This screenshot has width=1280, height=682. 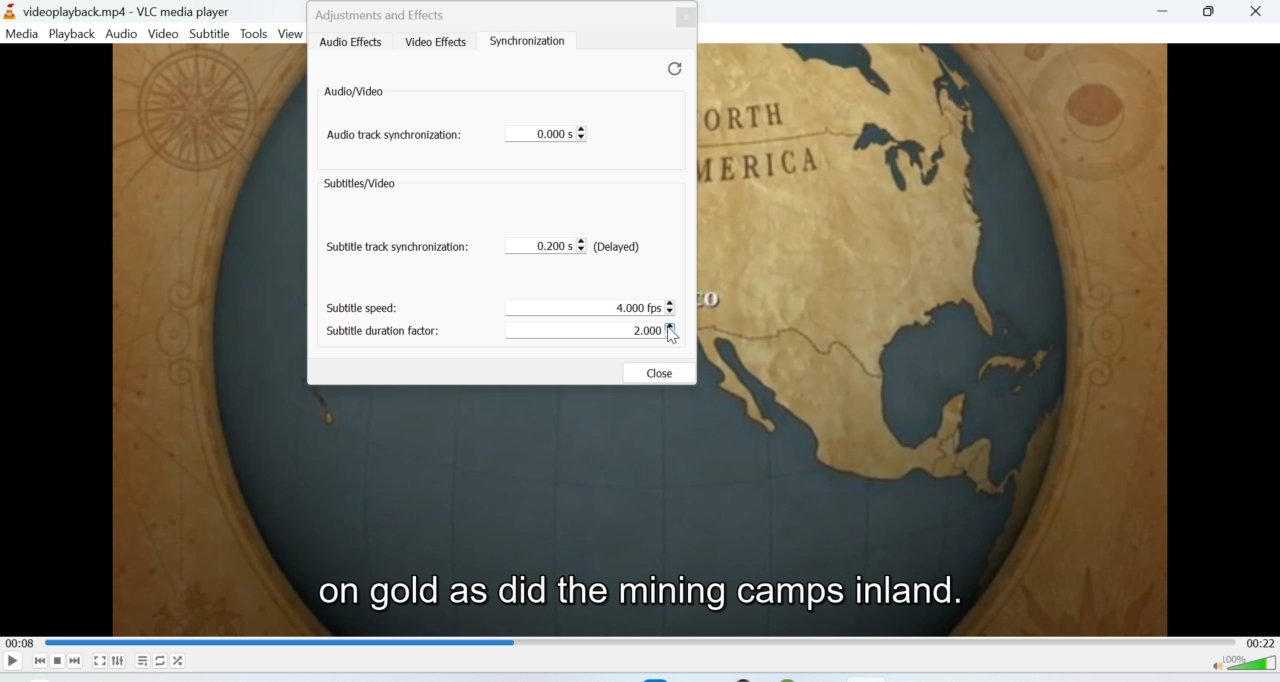 I want to click on Media, so click(x=22, y=33).